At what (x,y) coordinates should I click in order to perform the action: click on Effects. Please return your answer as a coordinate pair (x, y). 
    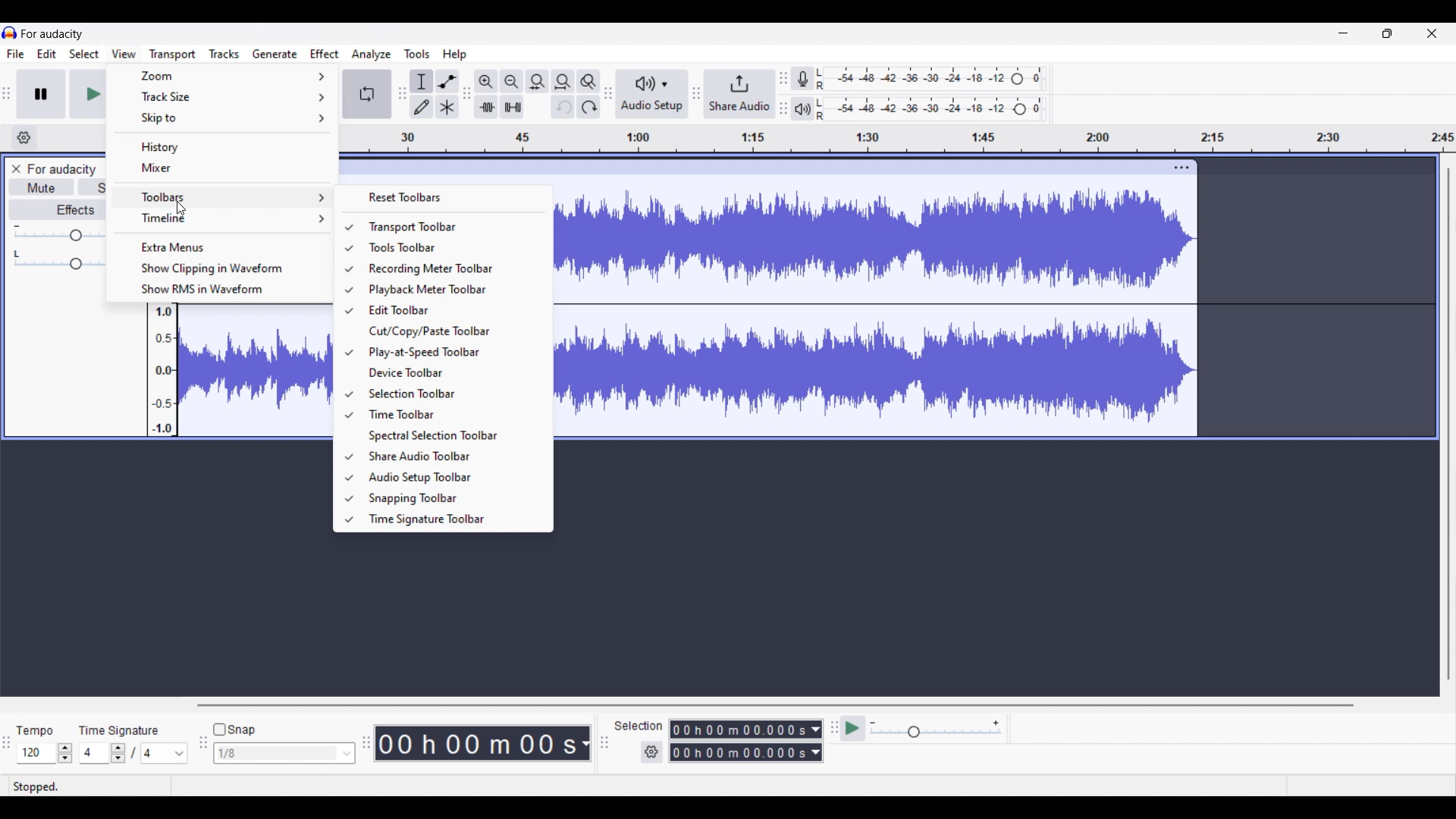
    Looking at the image, I should click on (56, 209).